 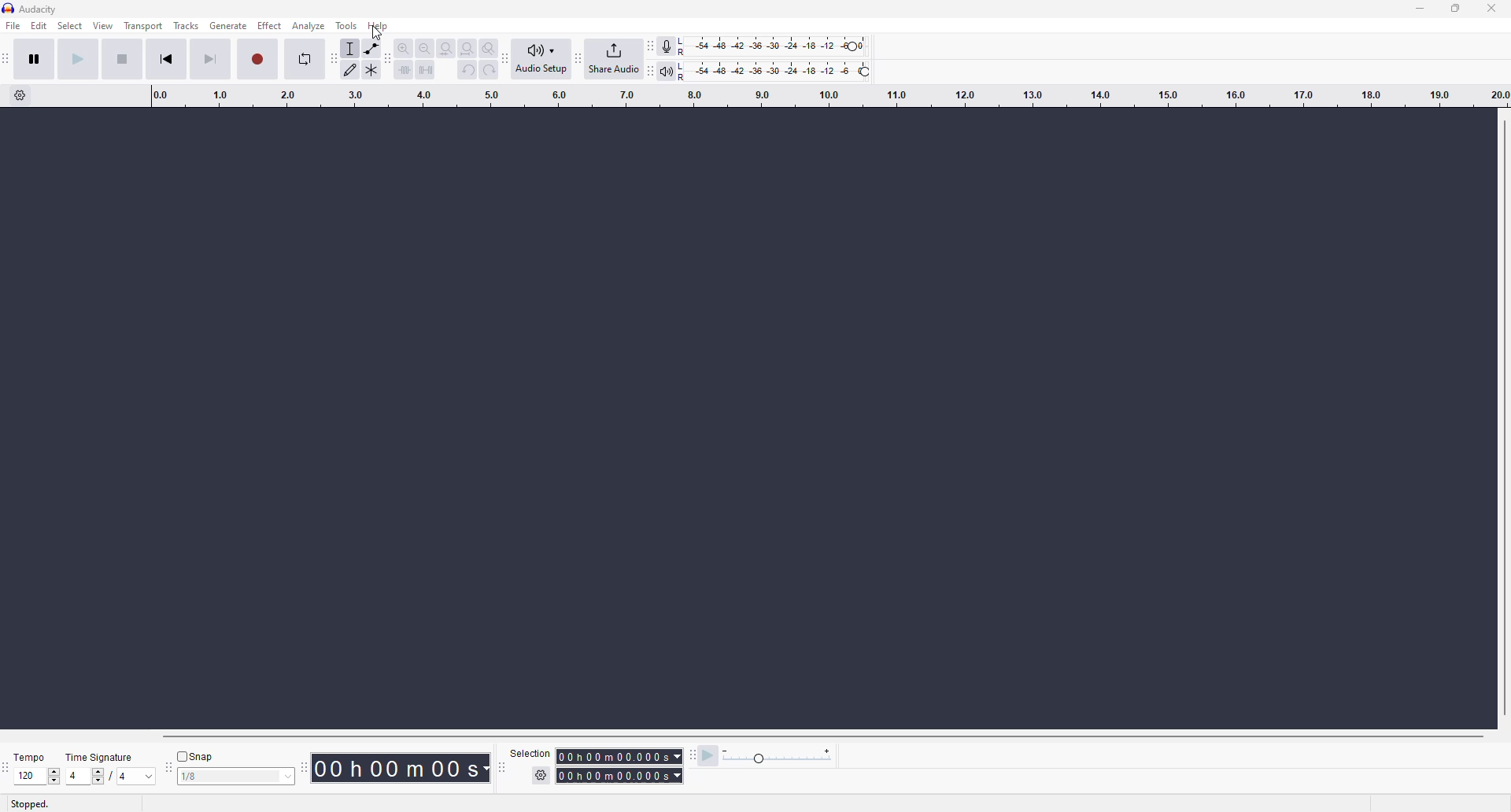 I want to click on timeline options, so click(x=24, y=96).